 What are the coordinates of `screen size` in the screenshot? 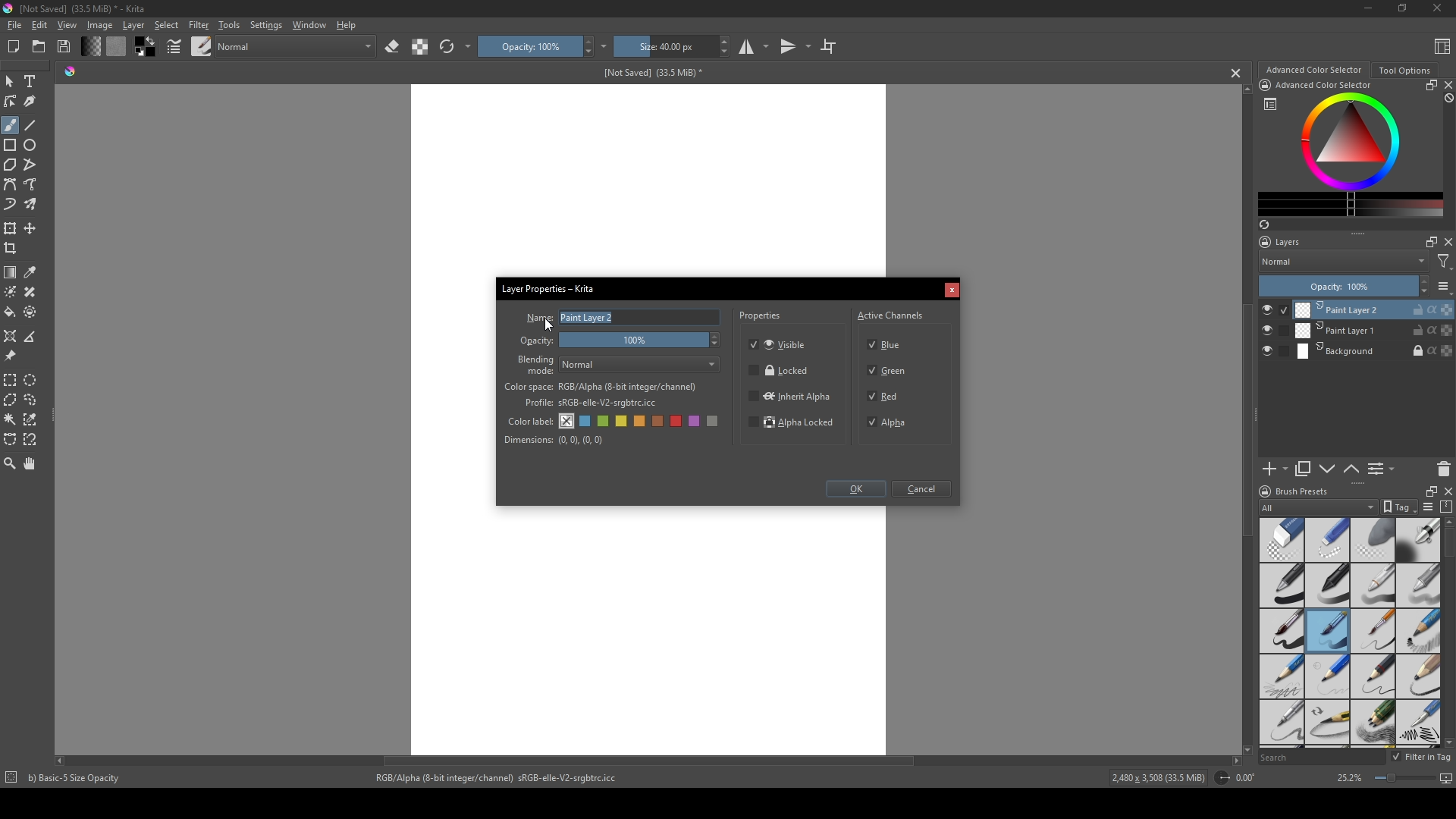 It's located at (1410, 780).